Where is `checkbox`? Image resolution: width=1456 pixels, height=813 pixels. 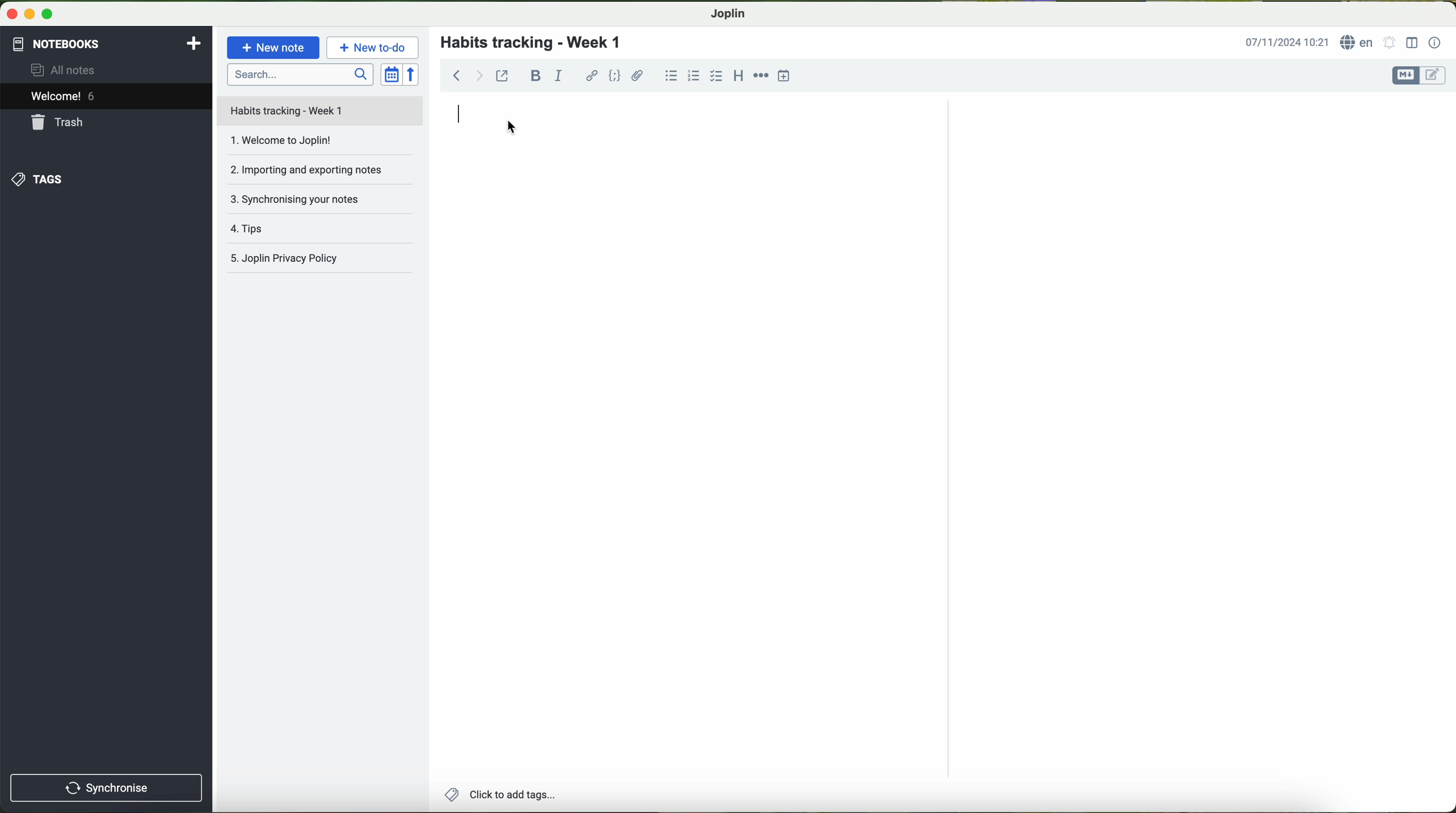
checkbox is located at coordinates (717, 77).